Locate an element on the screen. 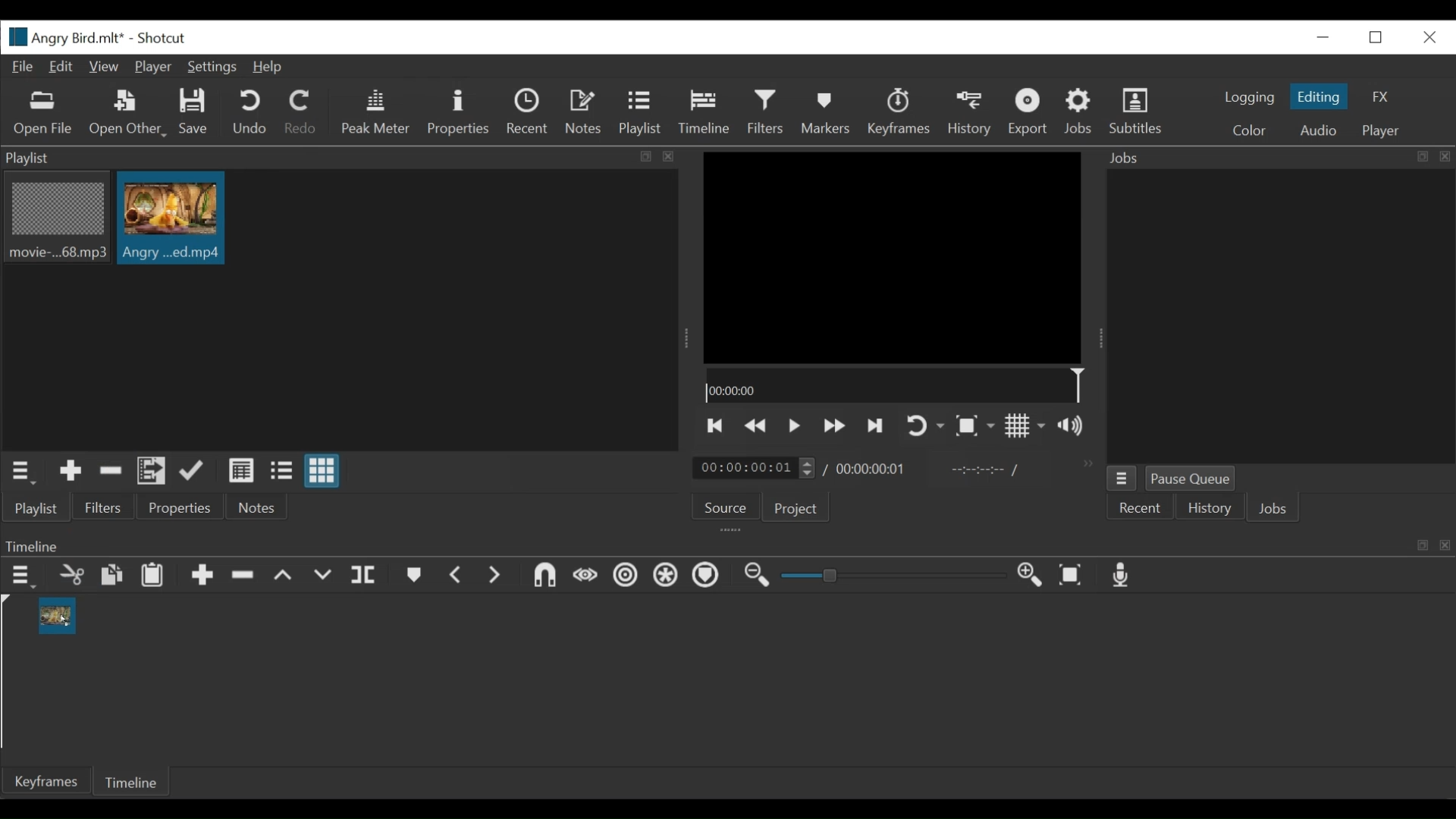 This screenshot has width=1456, height=819. Jobs is located at coordinates (1081, 112).